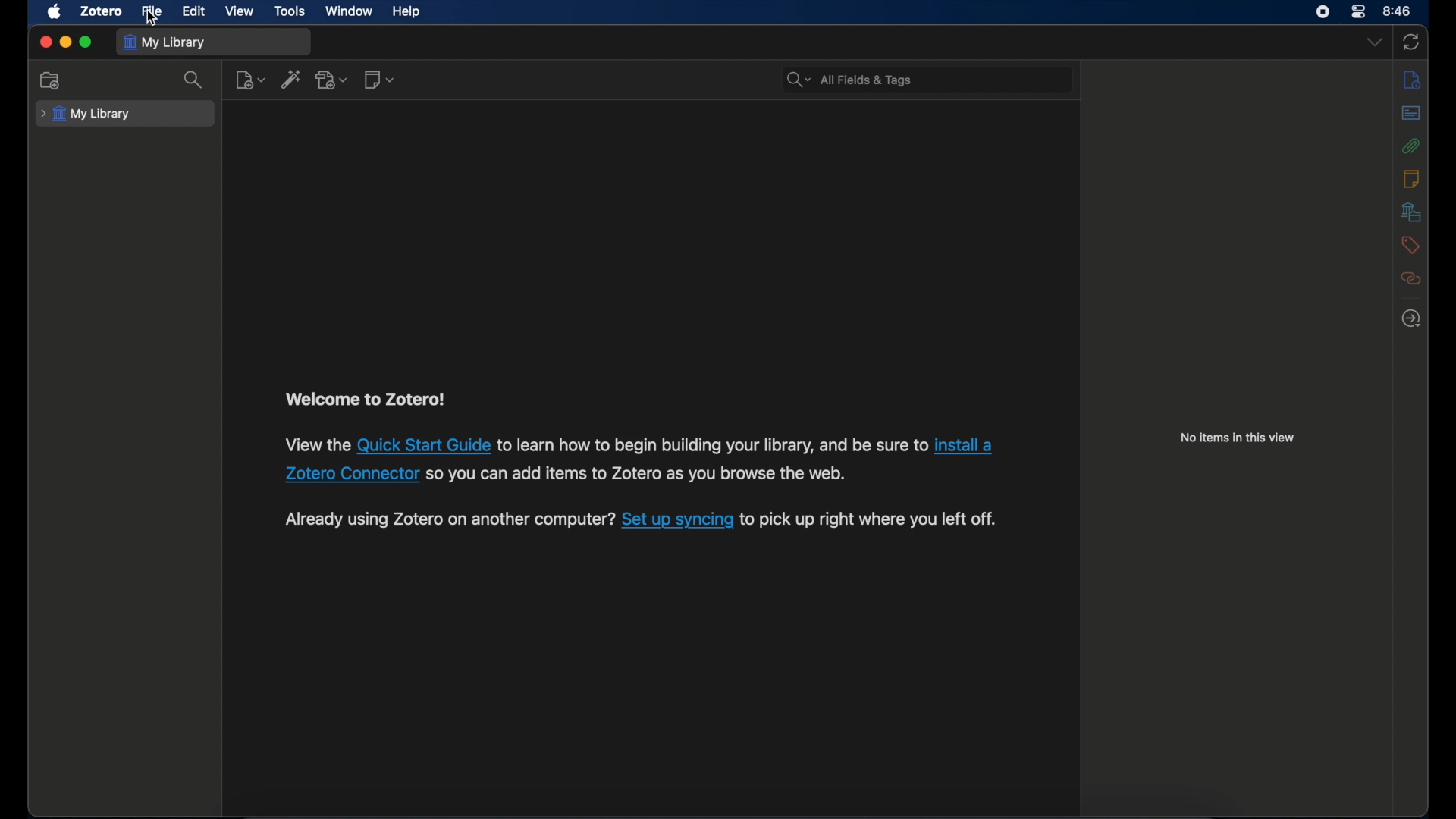 This screenshot has width=1456, height=819. What do you see at coordinates (1414, 147) in the screenshot?
I see `attachments` at bounding box center [1414, 147].